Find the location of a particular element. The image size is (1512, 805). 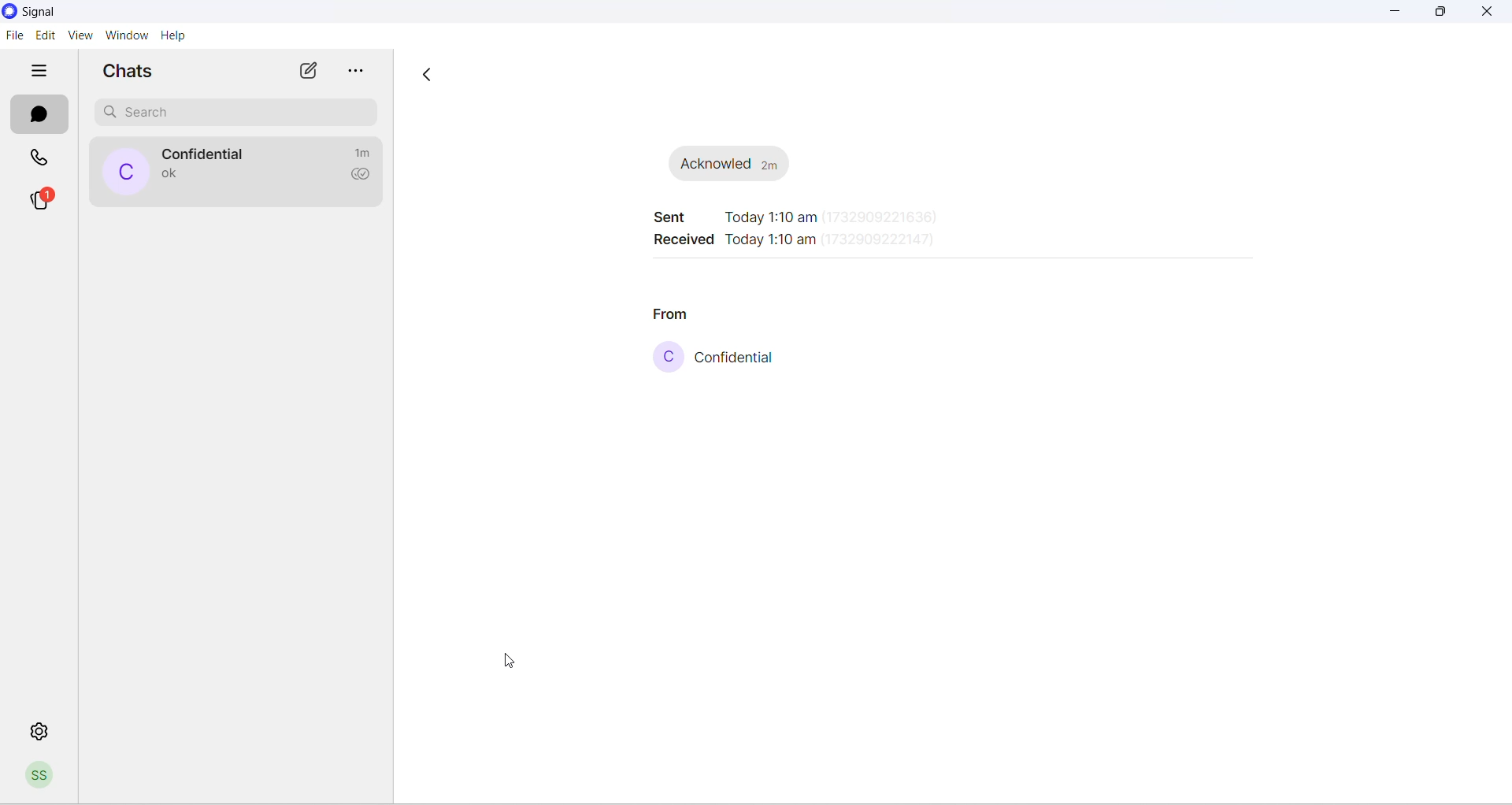

chats is located at coordinates (37, 114).